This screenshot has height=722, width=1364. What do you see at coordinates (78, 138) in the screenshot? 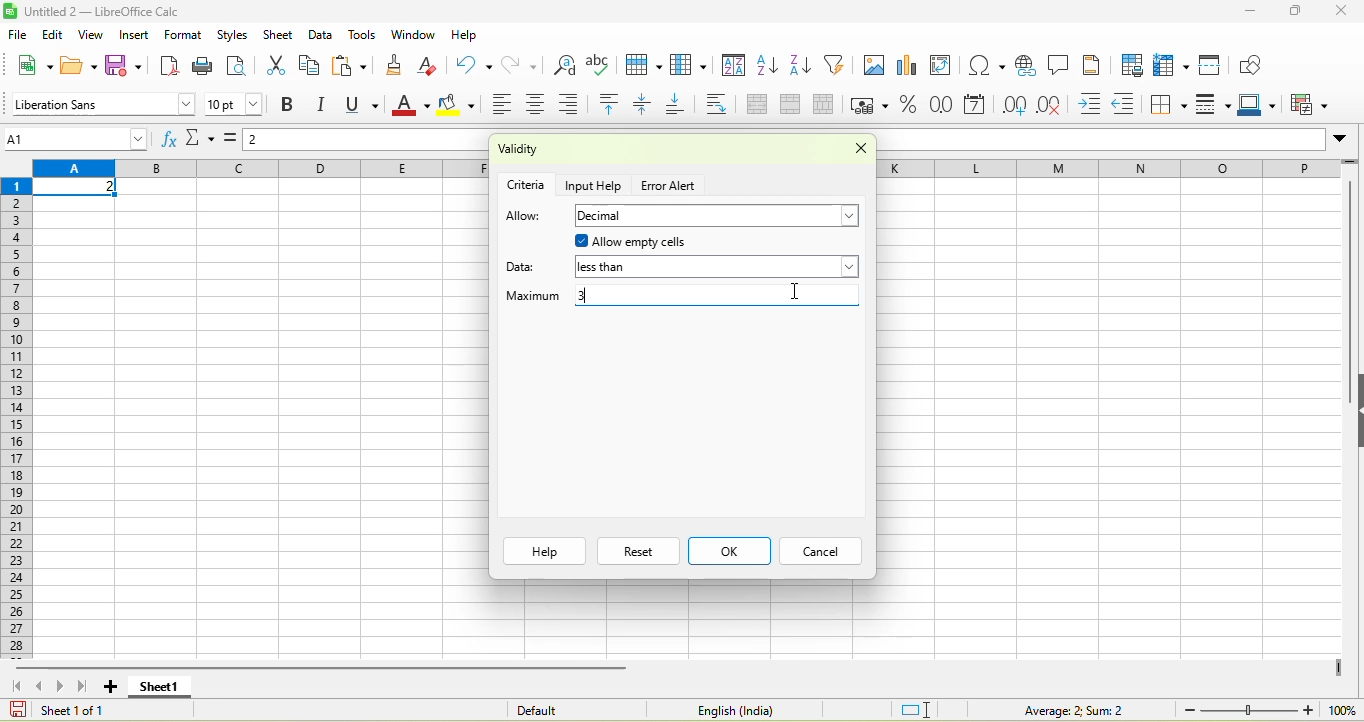
I see `name box` at bounding box center [78, 138].